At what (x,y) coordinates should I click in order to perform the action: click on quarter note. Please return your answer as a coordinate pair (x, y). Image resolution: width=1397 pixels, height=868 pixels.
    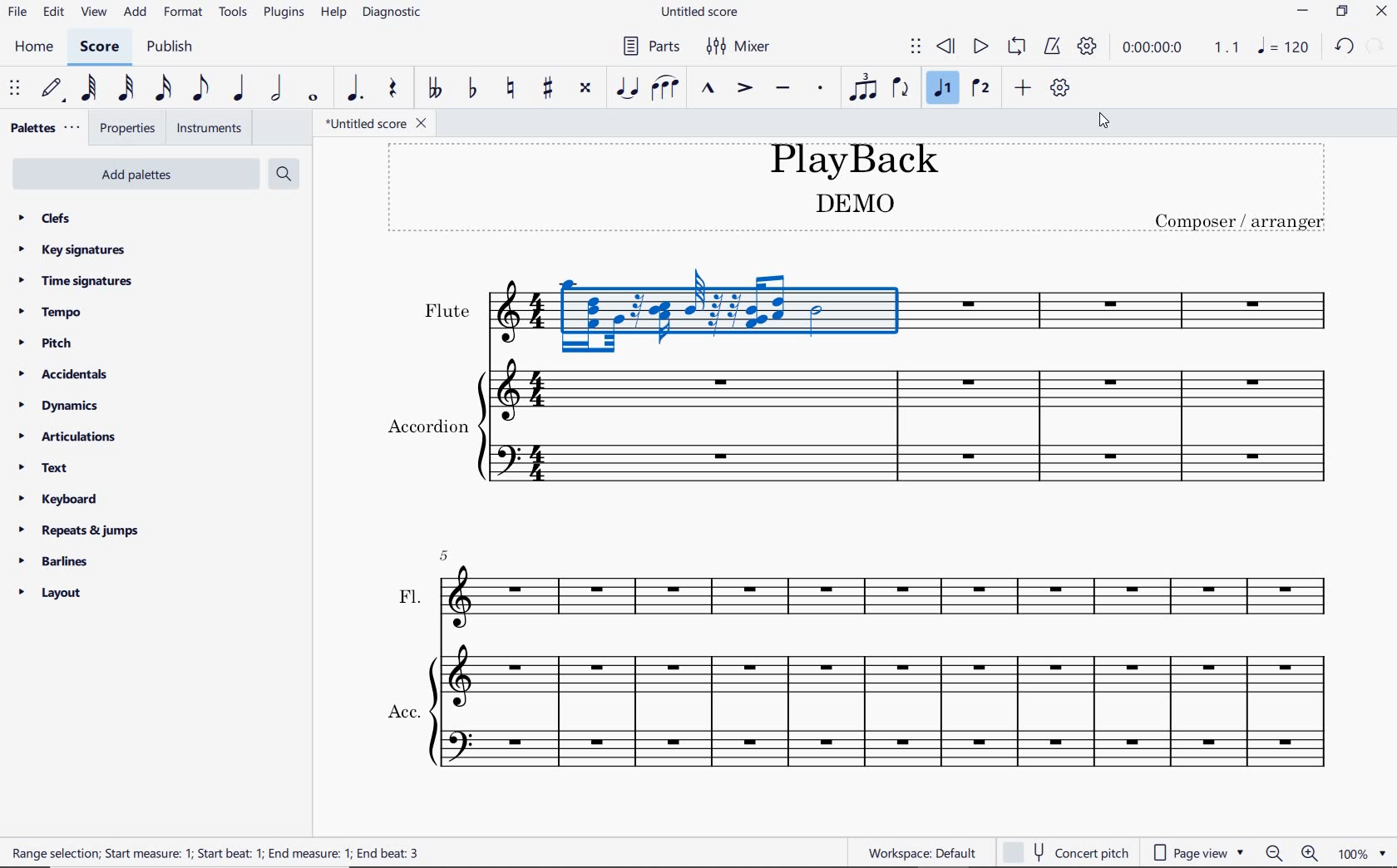
    Looking at the image, I should click on (239, 89).